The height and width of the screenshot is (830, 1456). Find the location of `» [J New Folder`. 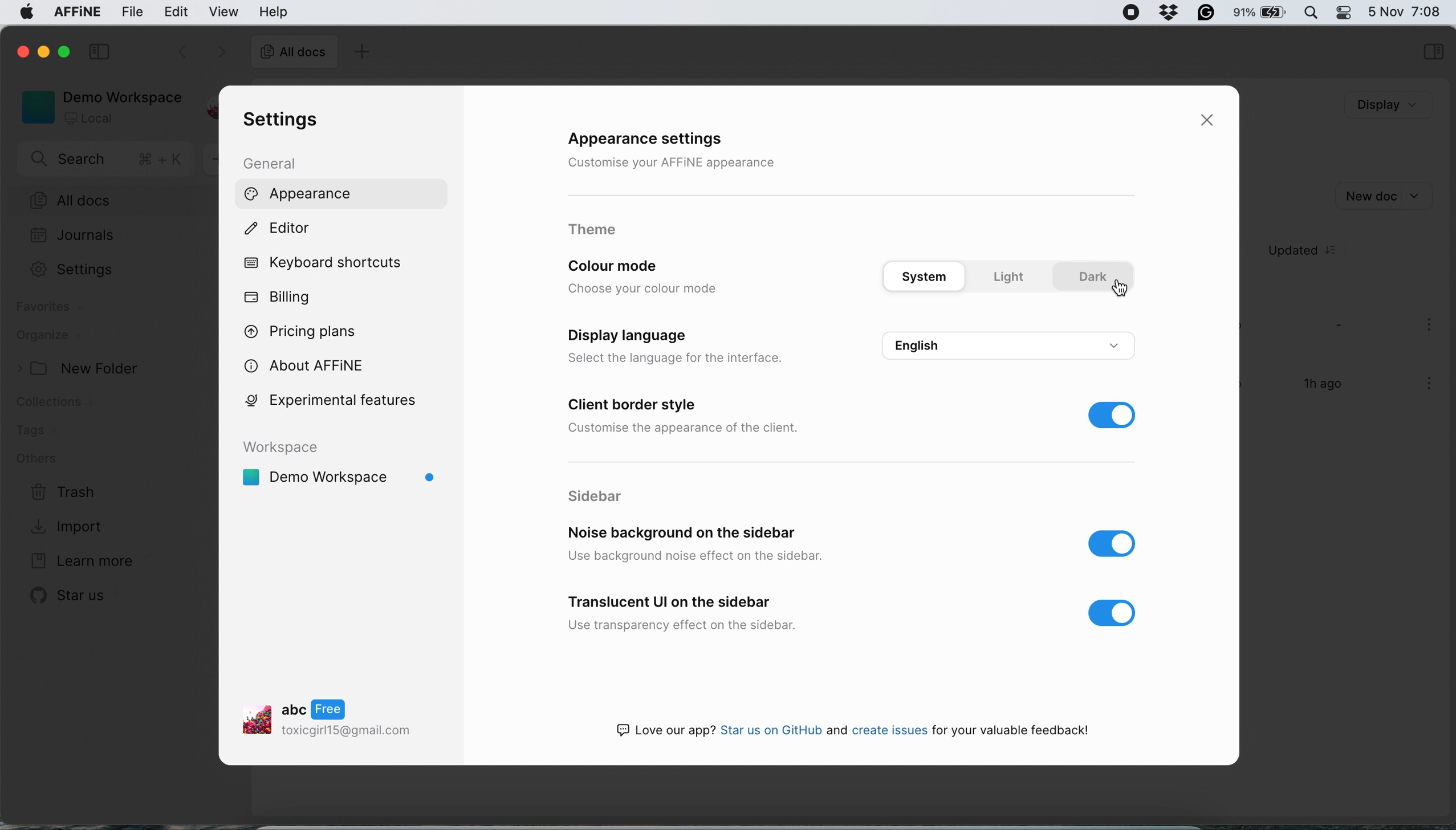

» [J New Folder is located at coordinates (77, 367).